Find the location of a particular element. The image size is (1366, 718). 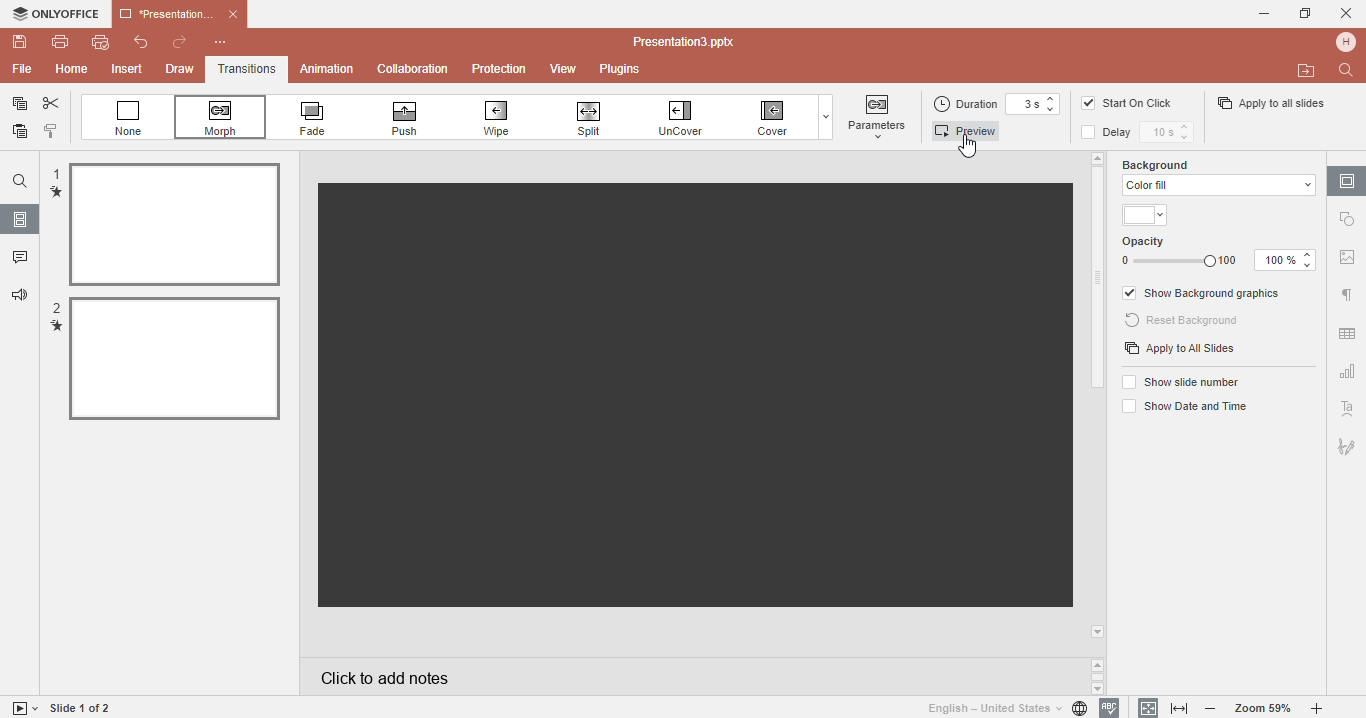

Document name is located at coordinates (689, 42).